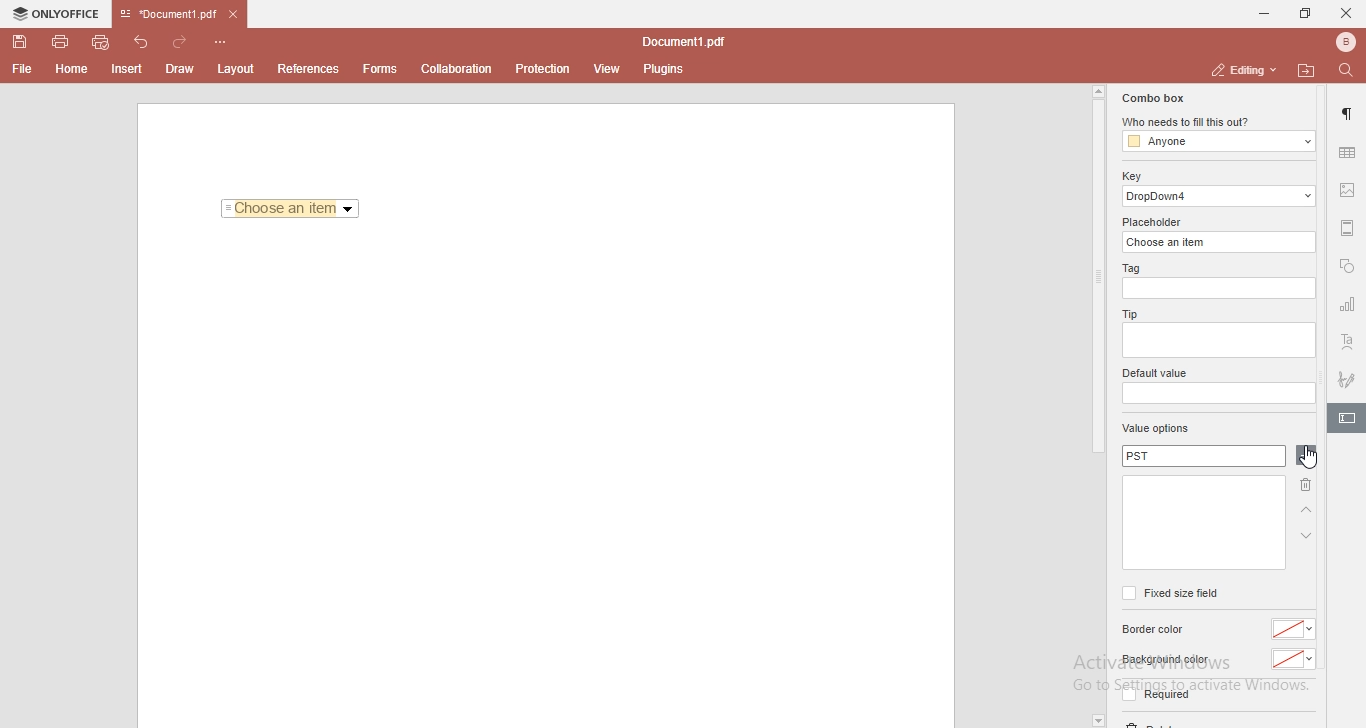 The height and width of the screenshot is (728, 1366). What do you see at coordinates (1294, 660) in the screenshot?
I see `color dropdown` at bounding box center [1294, 660].